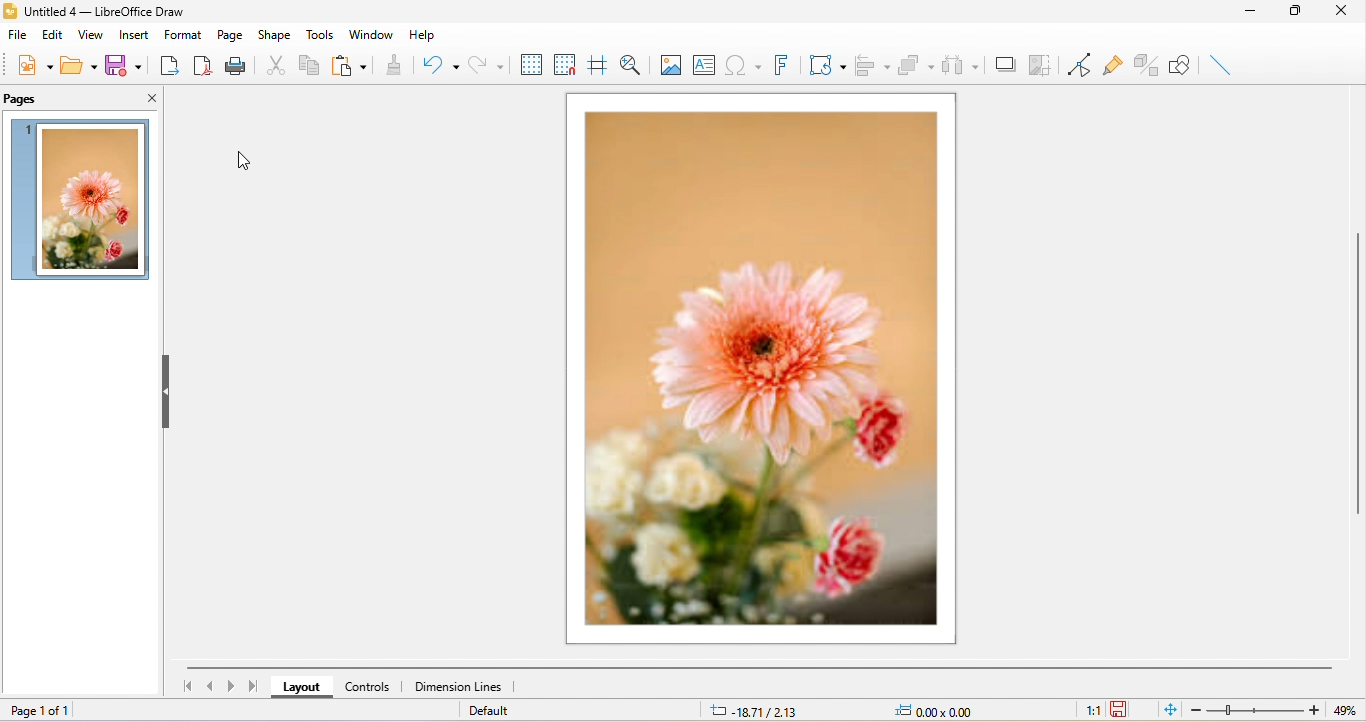  I want to click on the document has not been modified since the last save, so click(1130, 709).